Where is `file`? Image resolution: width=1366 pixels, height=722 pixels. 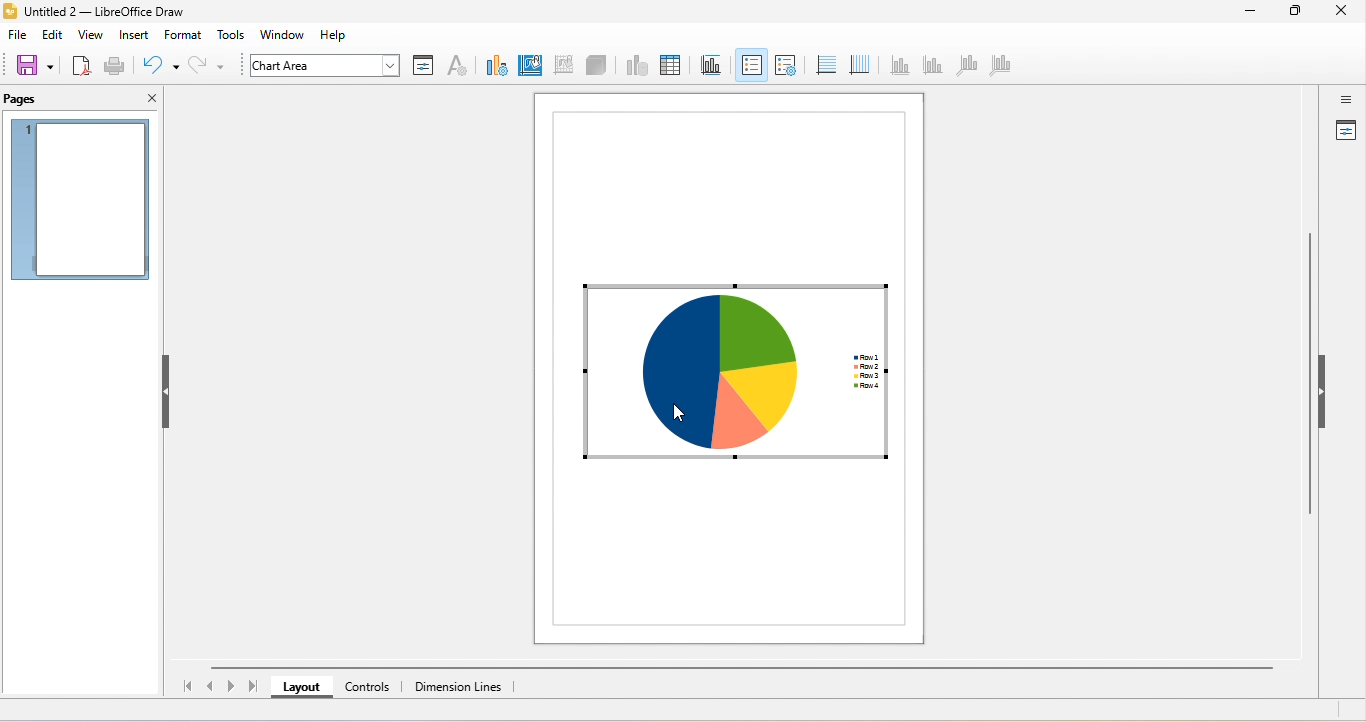
file is located at coordinates (17, 36).